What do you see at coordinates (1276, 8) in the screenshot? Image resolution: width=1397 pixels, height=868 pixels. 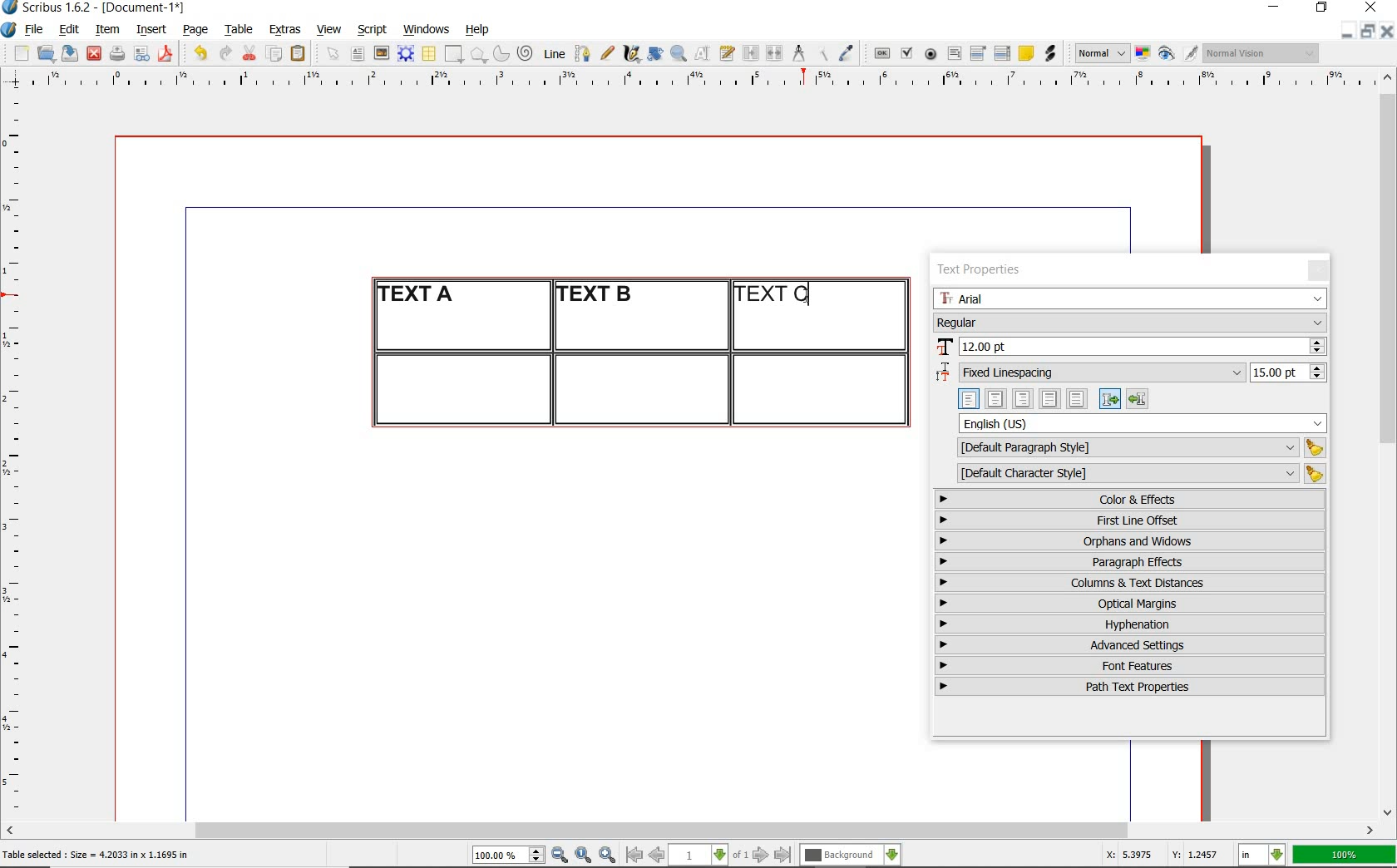 I see `minimize` at bounding box center [1276, 8].